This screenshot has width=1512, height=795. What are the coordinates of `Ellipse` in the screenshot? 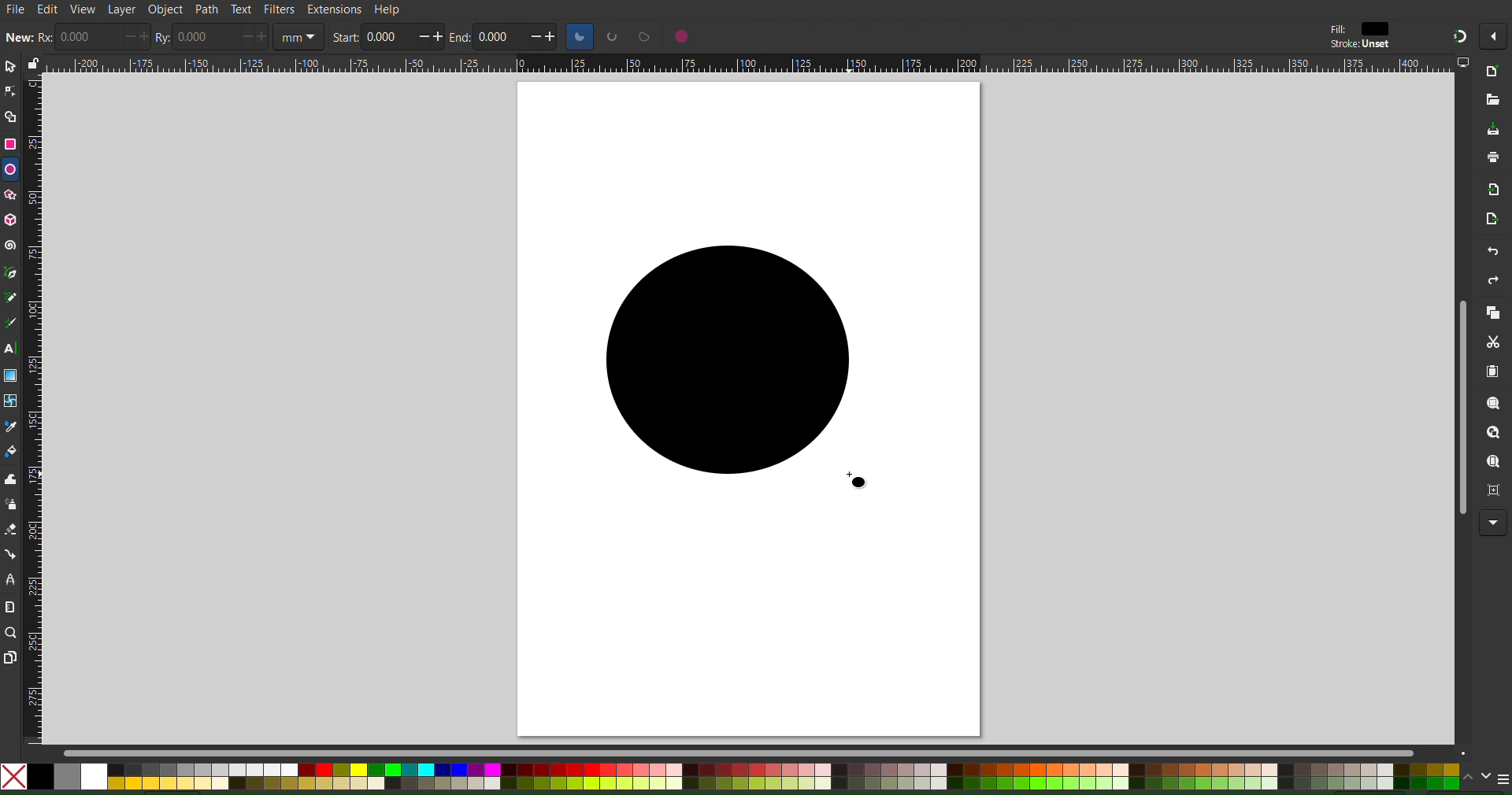 It's located at (11, 170).